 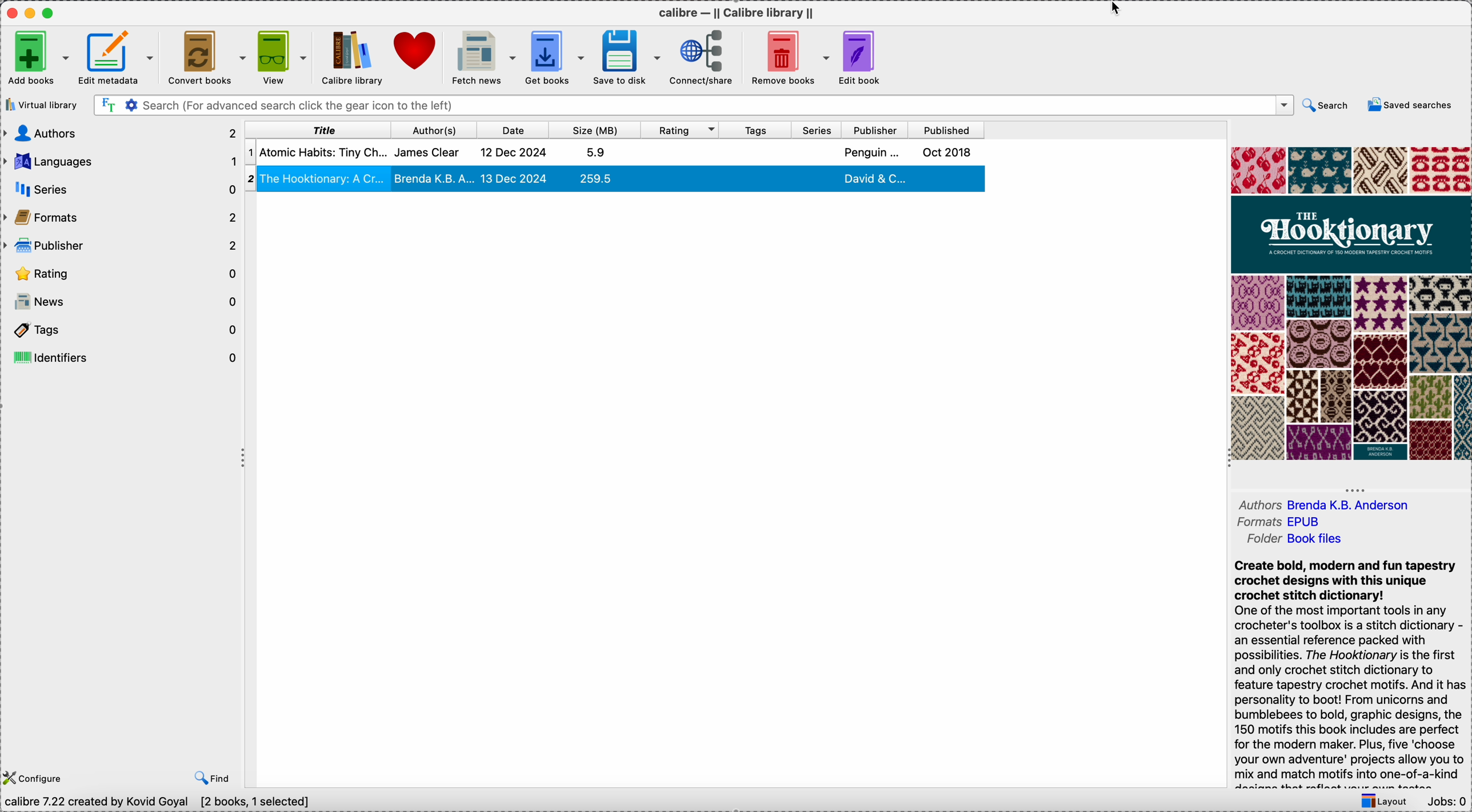 What do you see at coordinates (1407, 106) in the screenshot?
I see `saved searches` at bounding box center [1407, 106].